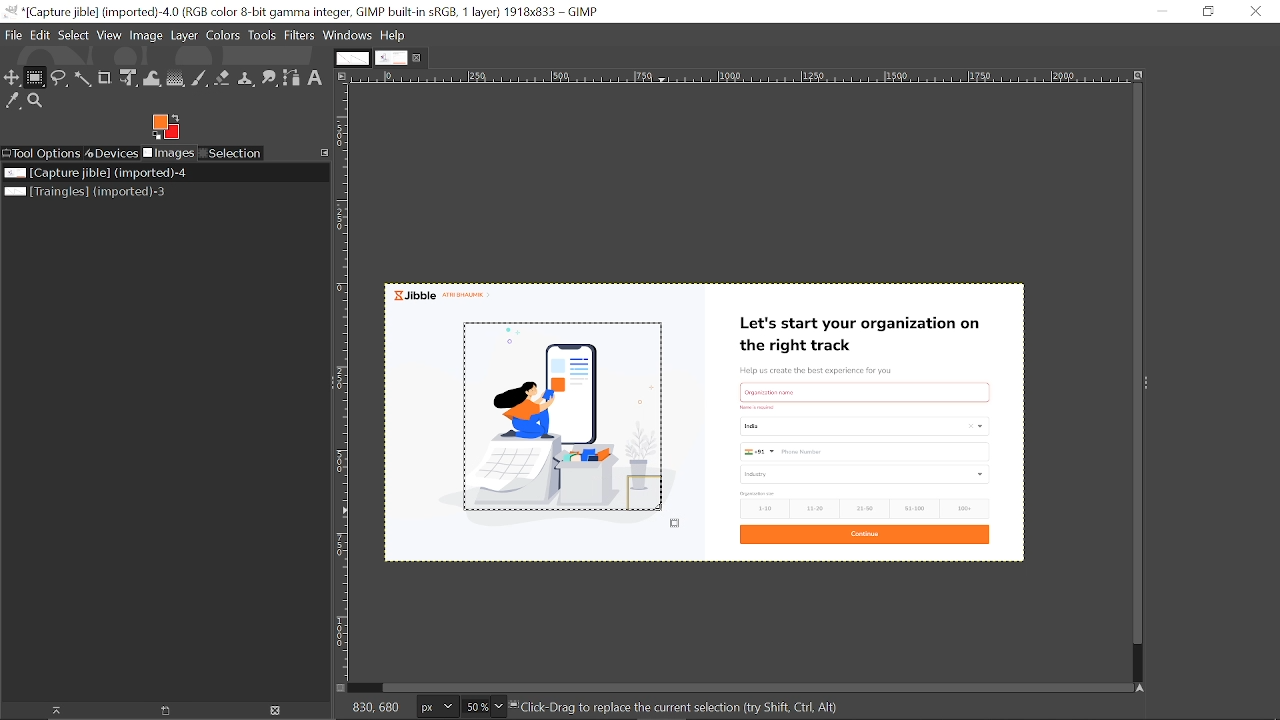  I want to click on Current tab, so click(392, 58).